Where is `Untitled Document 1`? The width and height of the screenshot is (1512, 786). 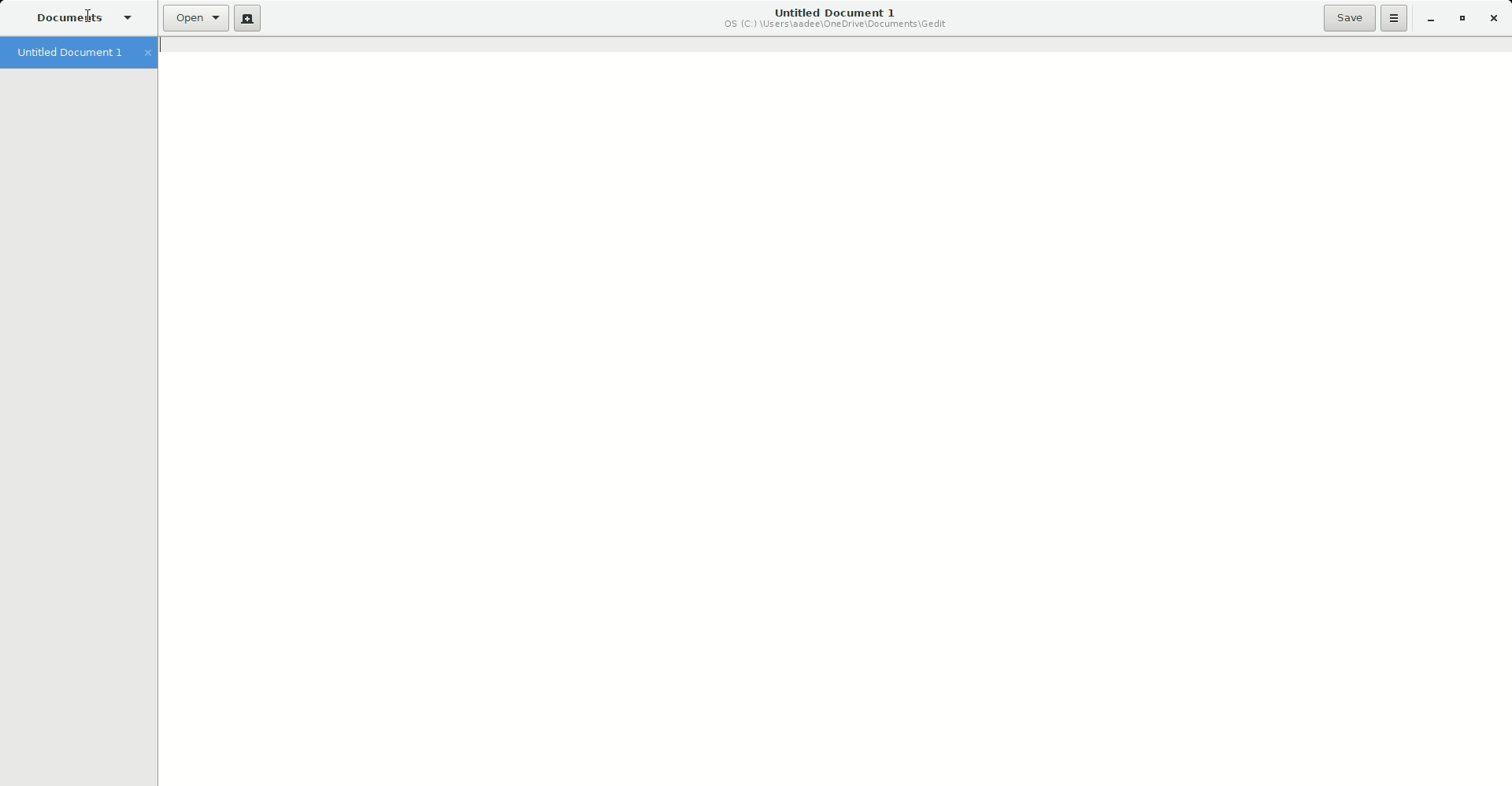
Untitled Document 1 is located at coordinates (83, 54).